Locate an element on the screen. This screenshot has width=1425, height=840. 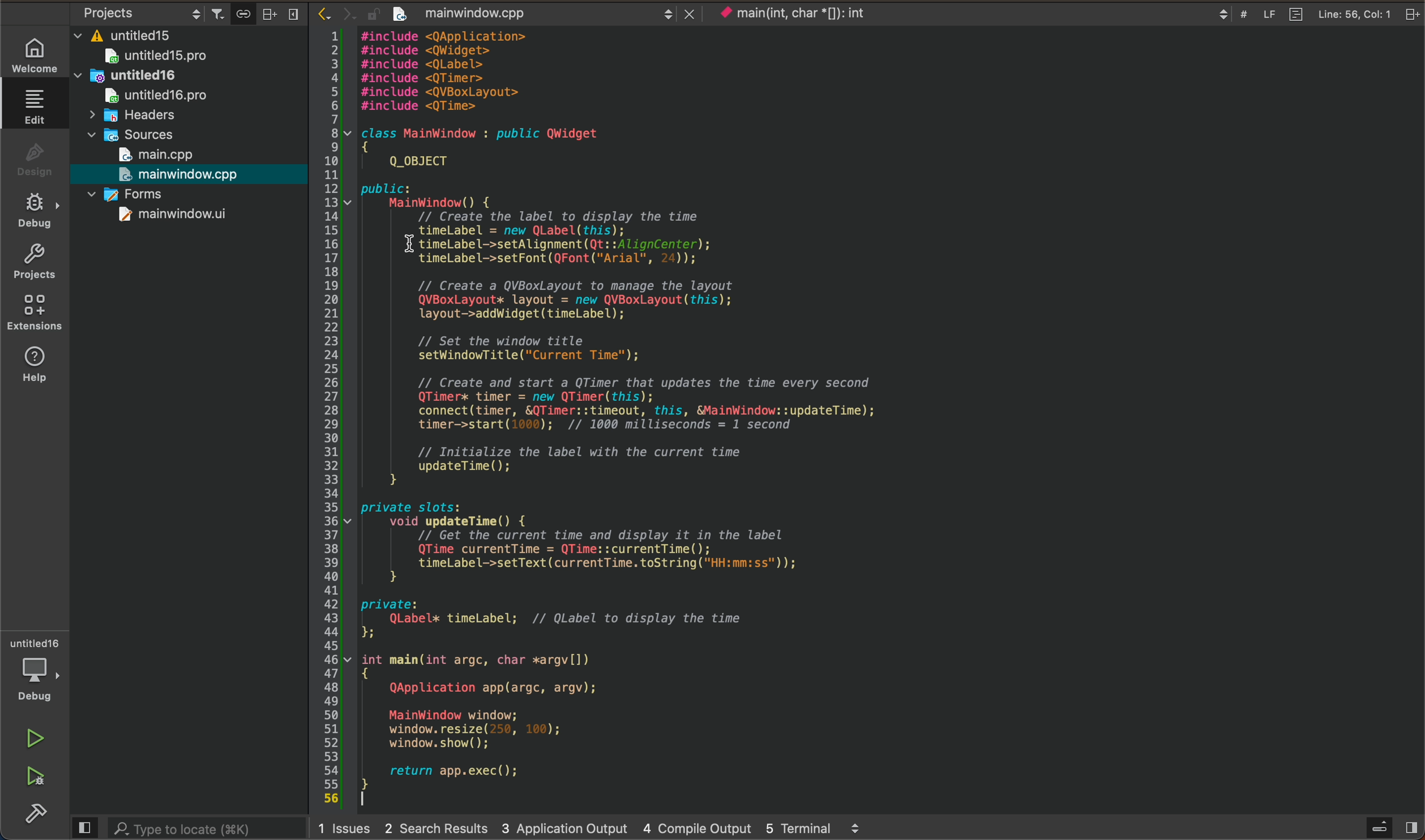
main.cpp is located at coordinates (190, 157).